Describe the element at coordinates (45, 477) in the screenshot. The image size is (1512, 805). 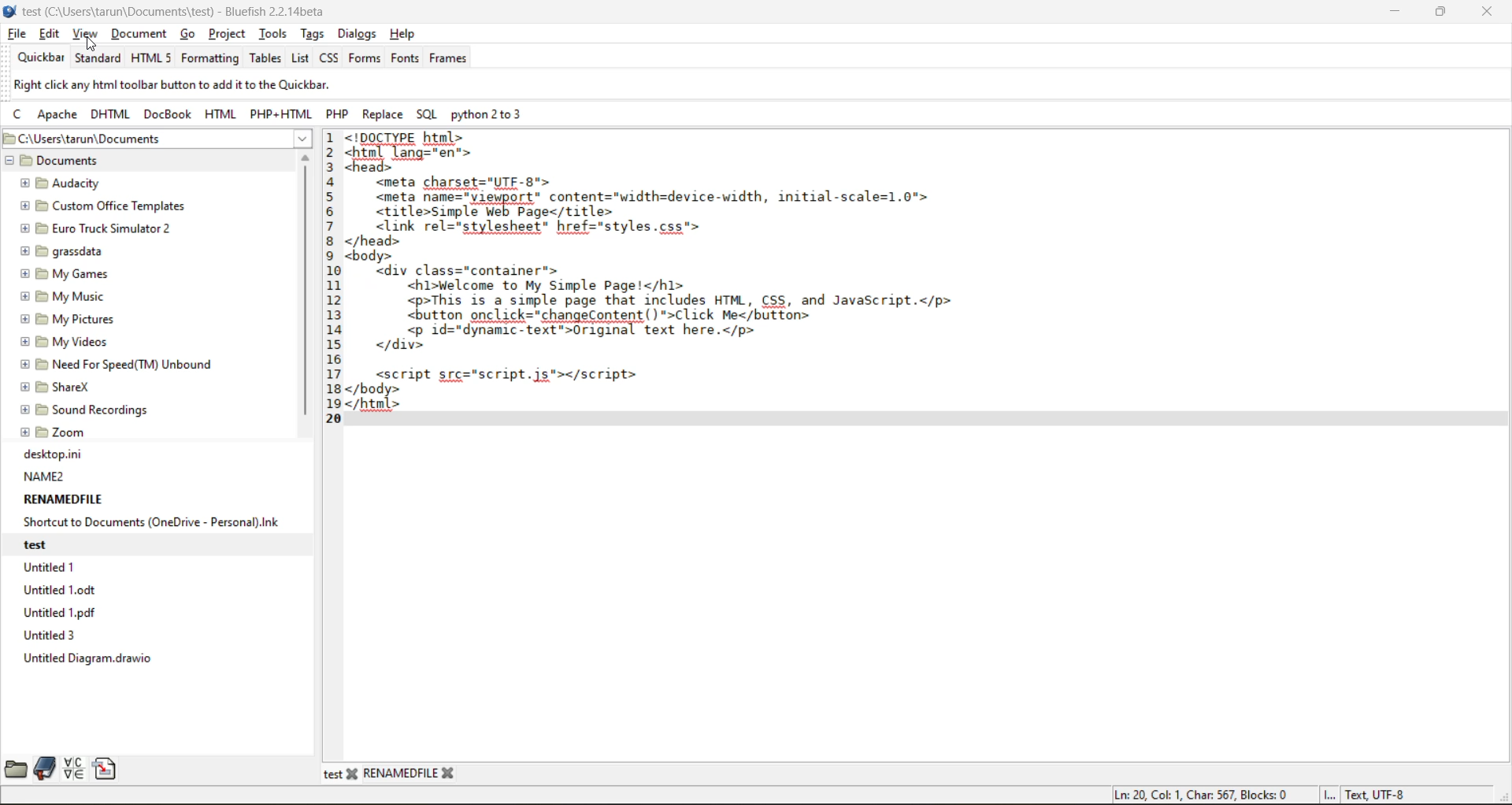
I see `NAME2` at that location.